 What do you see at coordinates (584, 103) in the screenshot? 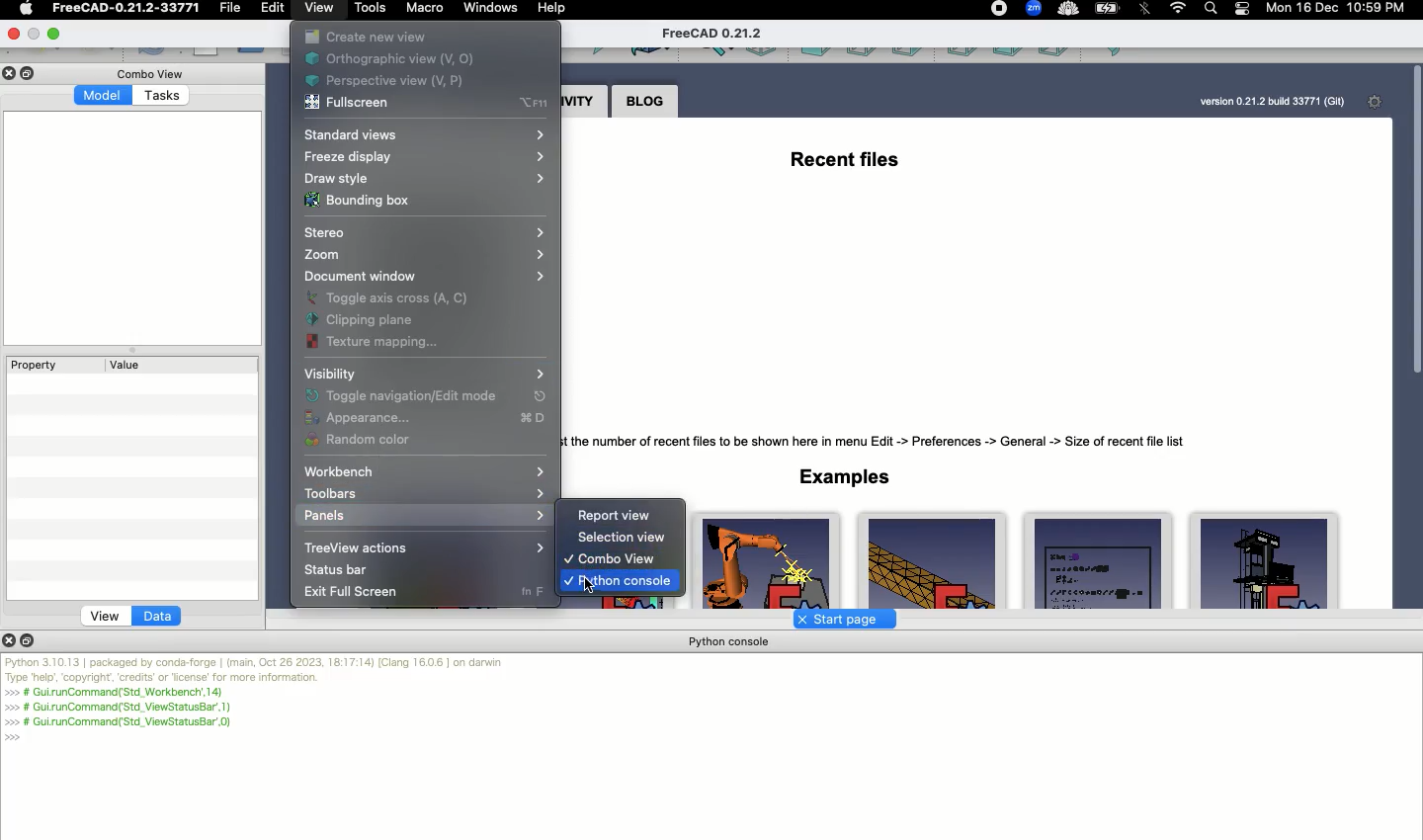
I see `Activity ` at bounding box center [584, 103].